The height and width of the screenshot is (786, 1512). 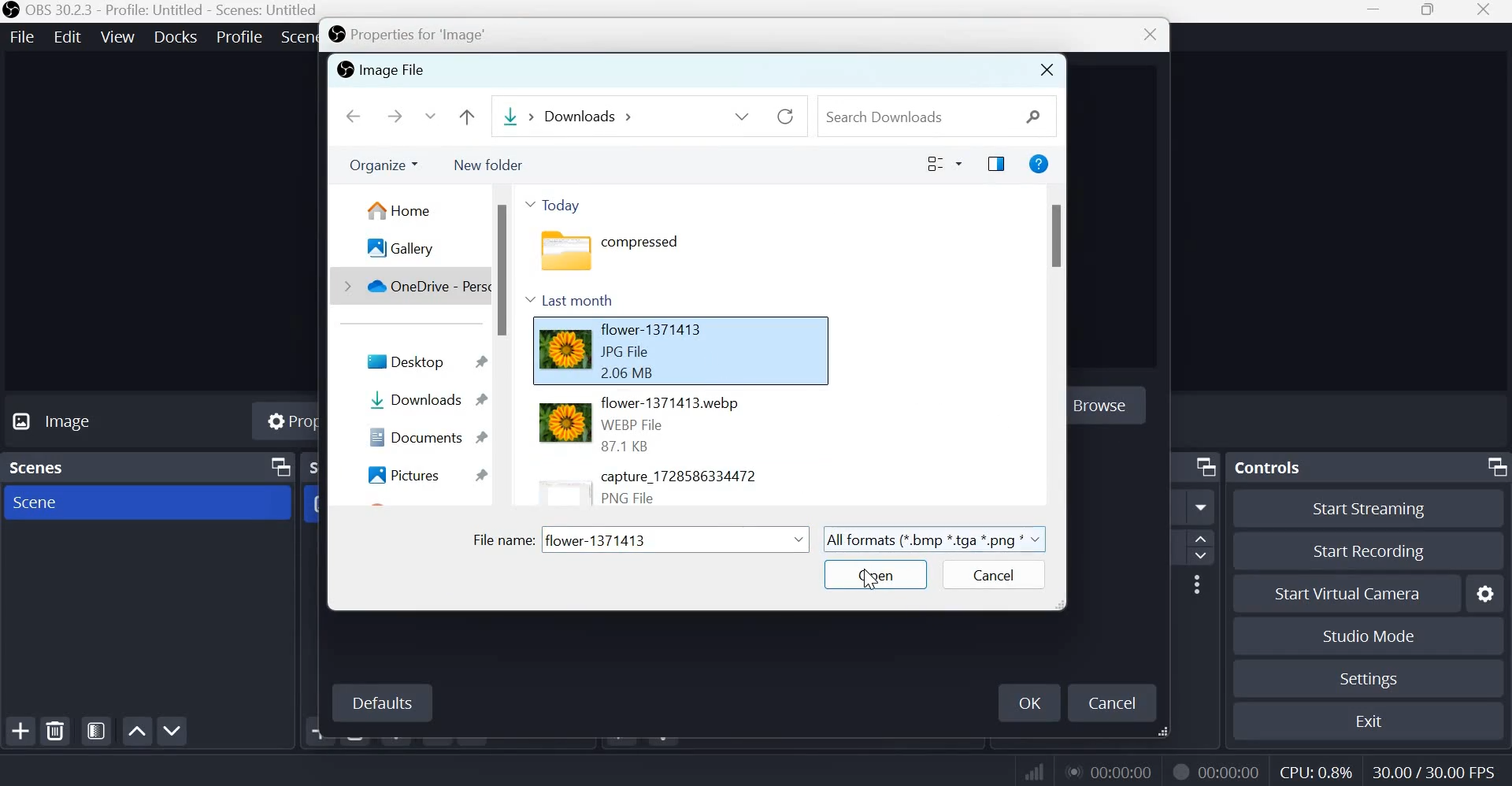 What do you see at coordinates (1034, 771) in the screenshot?
I see `connection status indicator` at bounding box center [1034, 771].